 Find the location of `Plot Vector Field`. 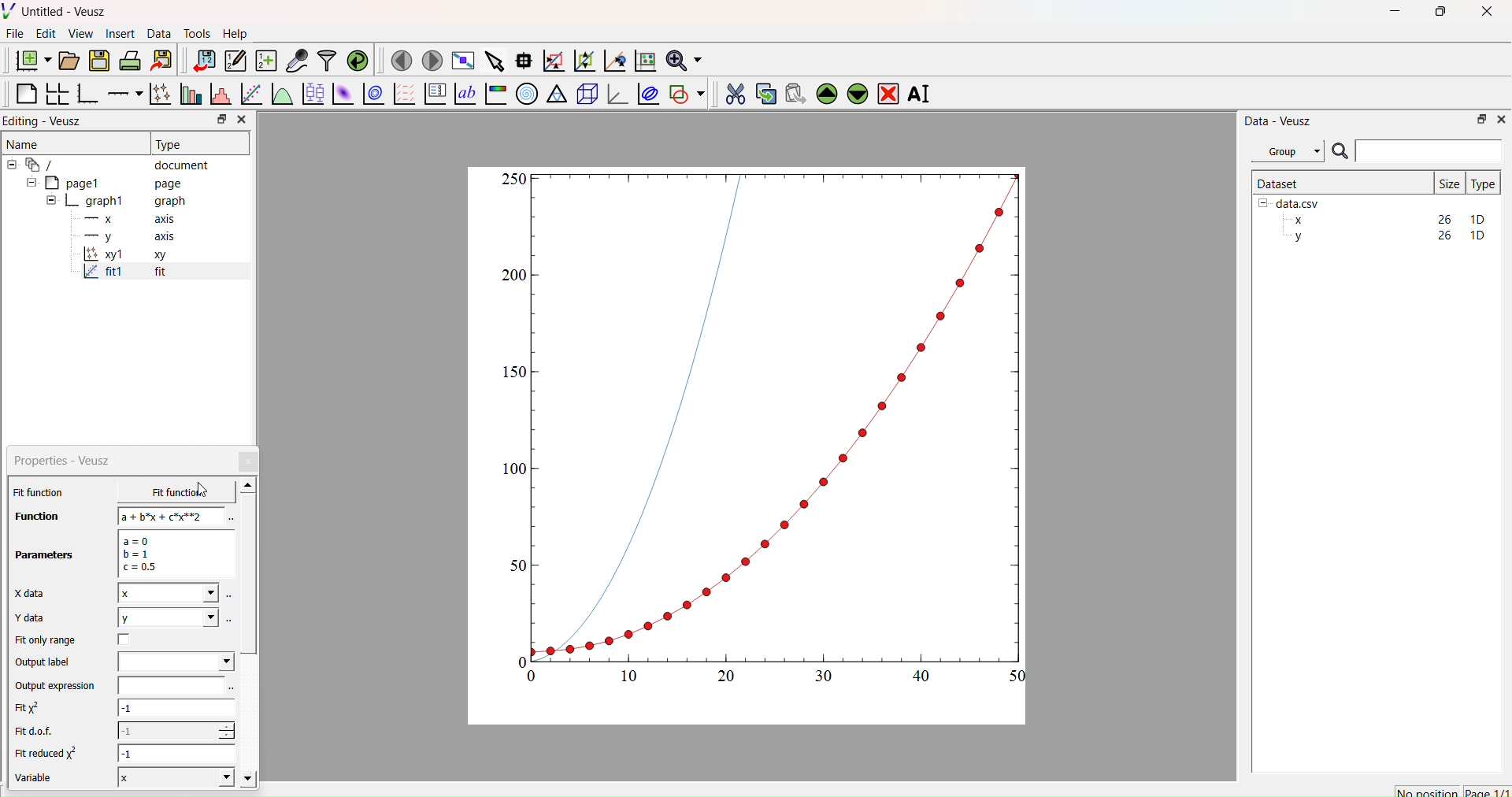

Plot Vector Field is located at coordinates (404, 95).